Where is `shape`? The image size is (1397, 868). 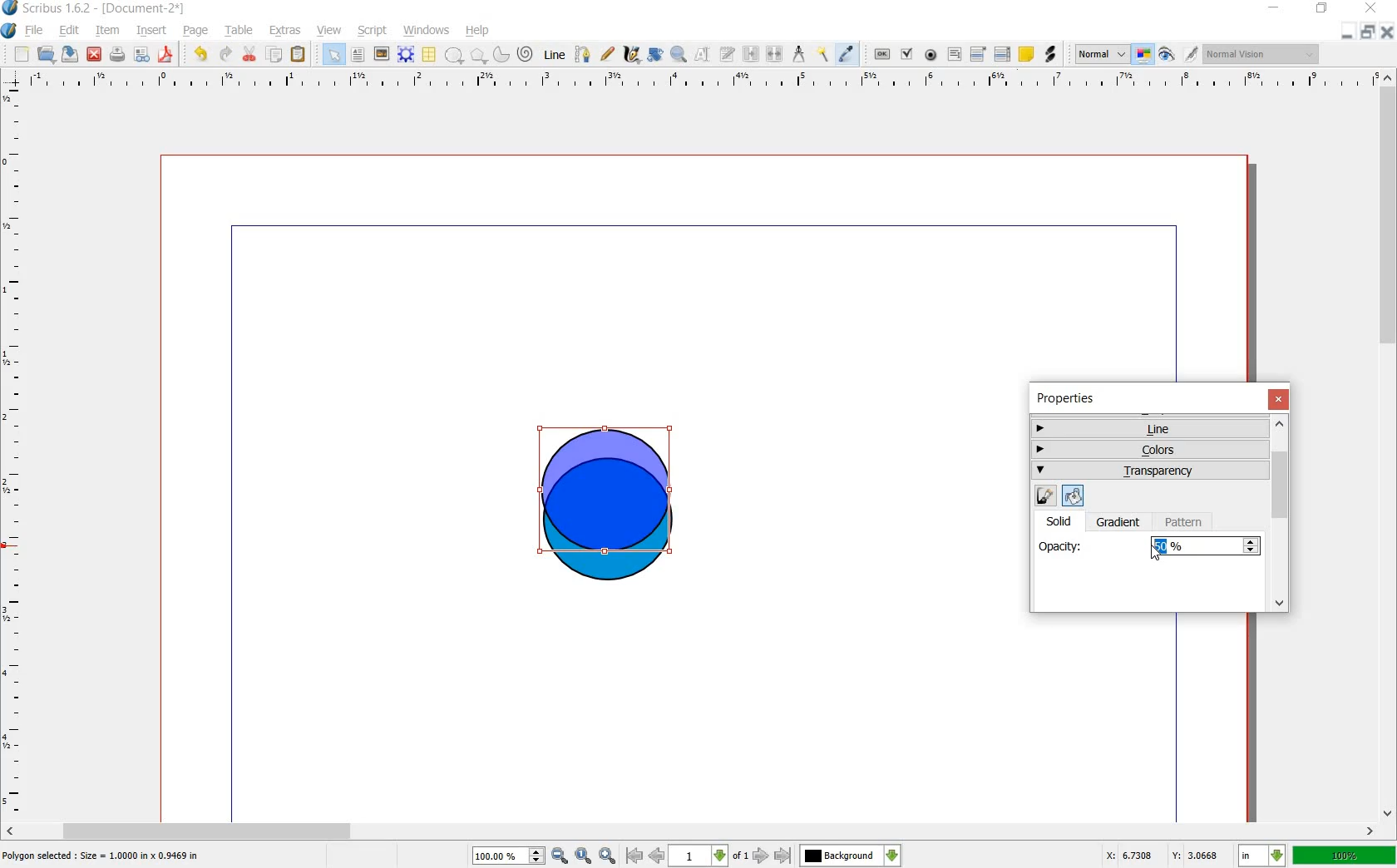
shape is located at coordinates (455, 56).